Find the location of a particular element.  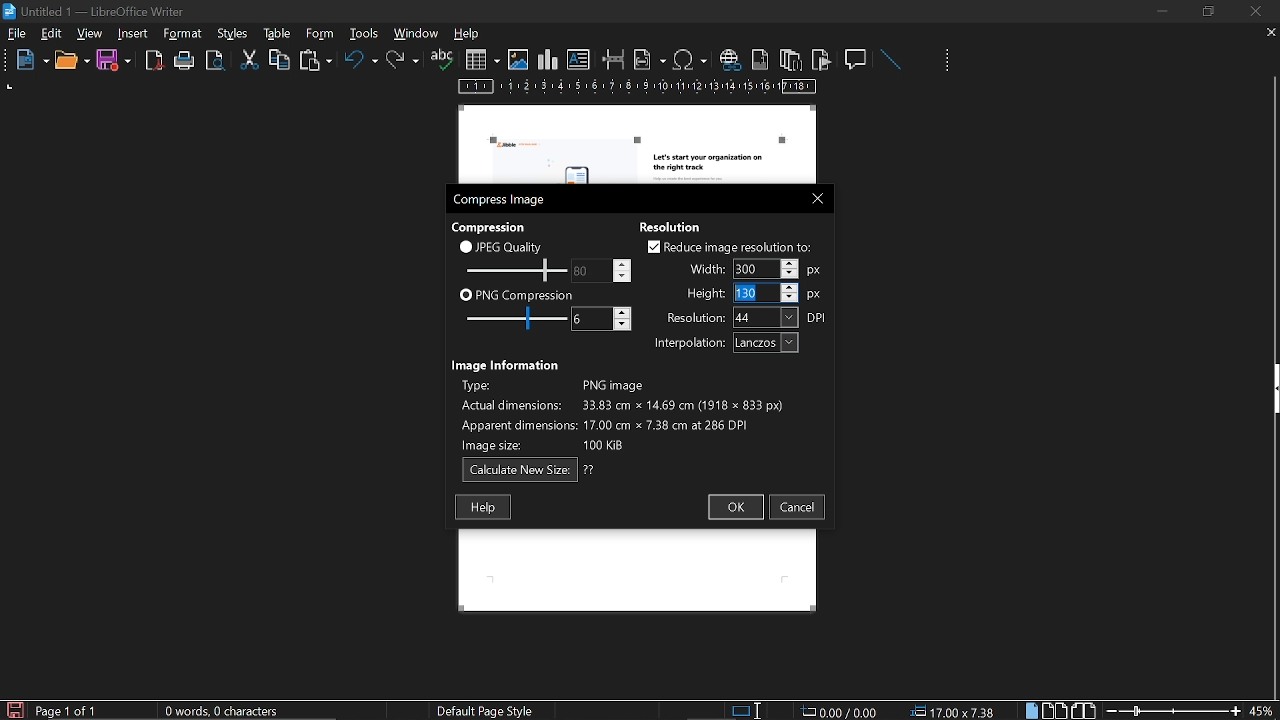

jpeg quality is located at coordinates (502, 246).